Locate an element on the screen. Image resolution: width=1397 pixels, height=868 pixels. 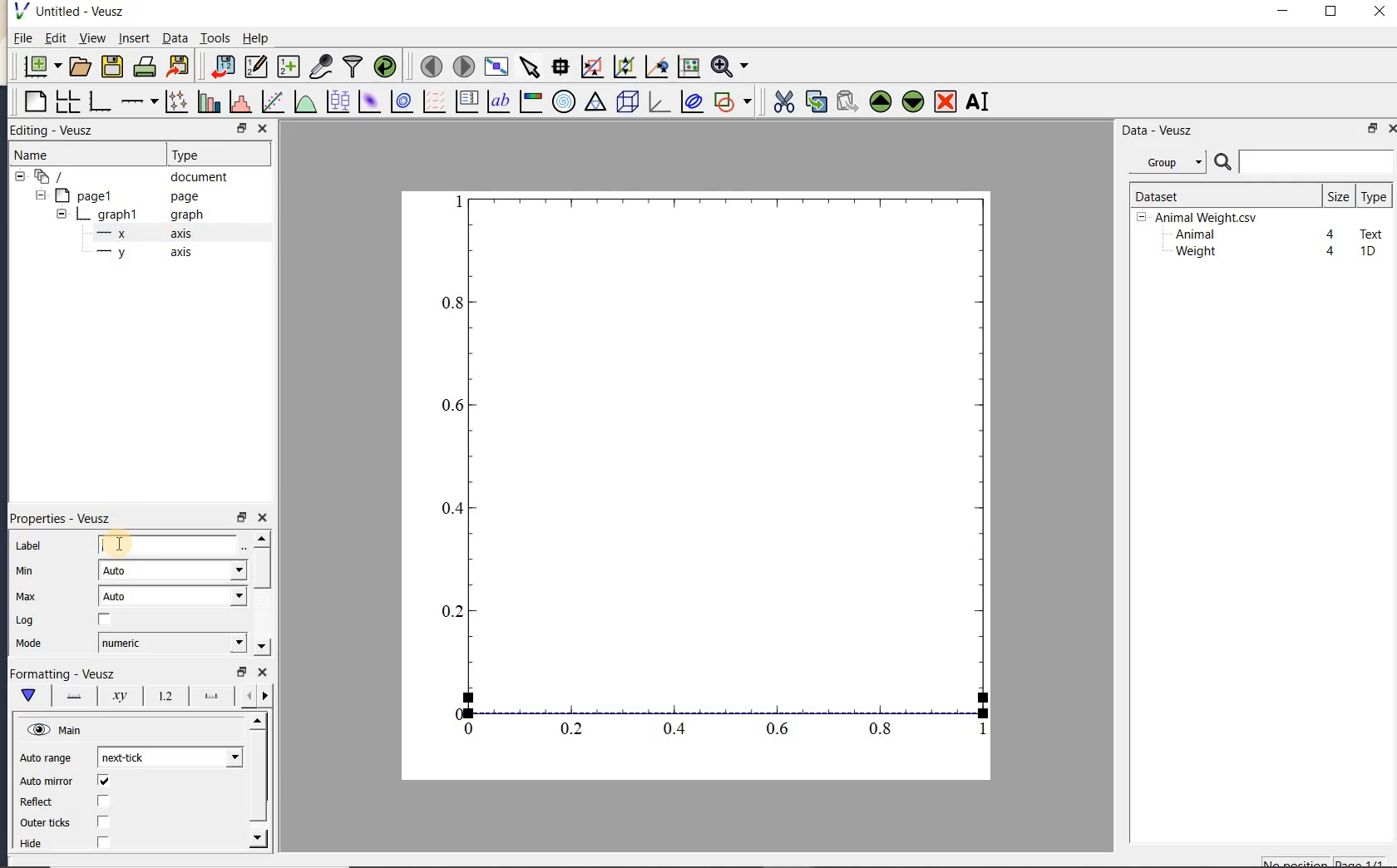
polar graph is located at coordinates (563, 101).